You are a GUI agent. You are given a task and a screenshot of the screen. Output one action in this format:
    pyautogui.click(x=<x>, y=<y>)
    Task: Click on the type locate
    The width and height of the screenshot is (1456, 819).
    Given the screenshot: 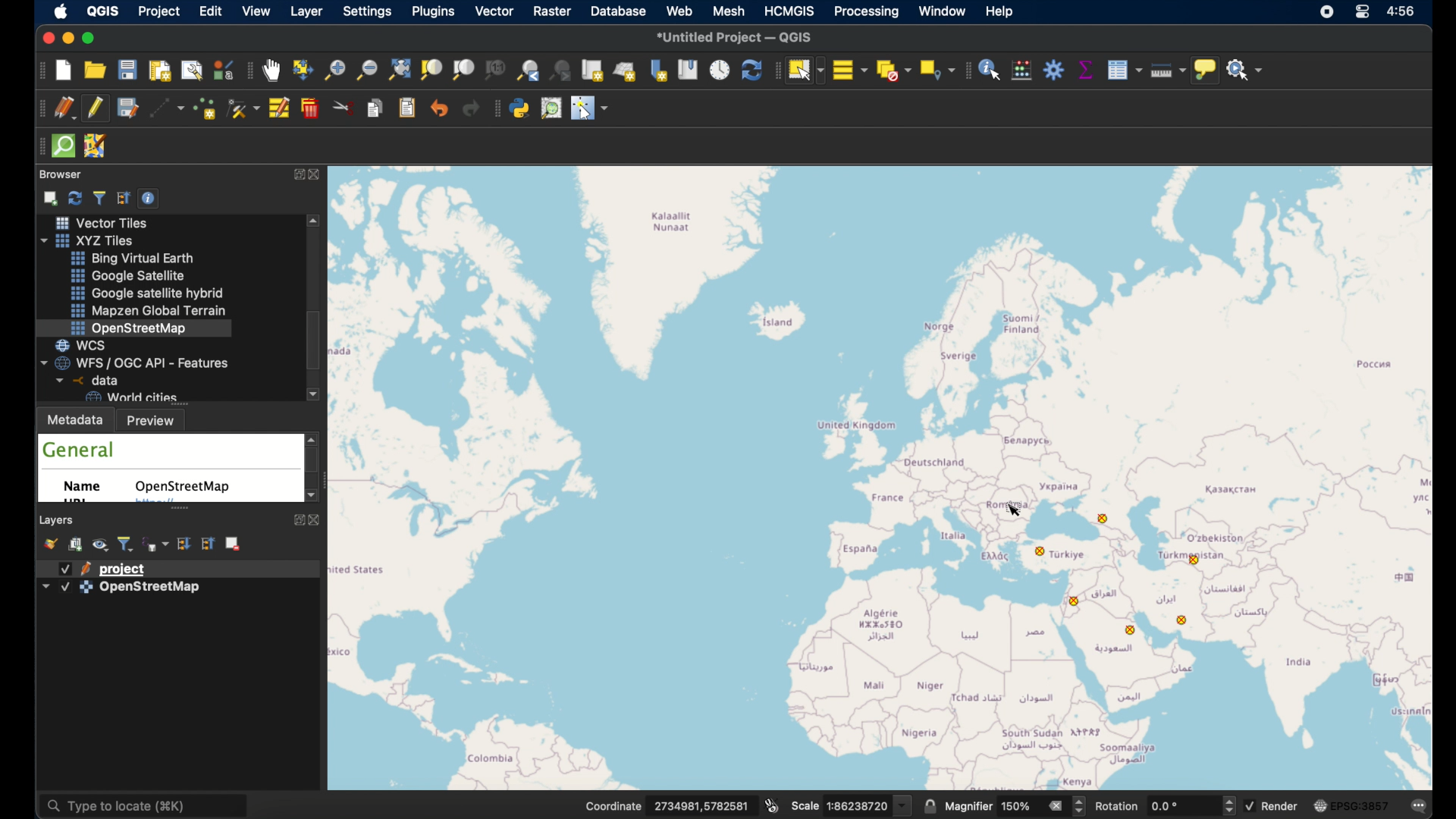 What is the action you would take?
    pyautogui.click(x=149, y=806)
    